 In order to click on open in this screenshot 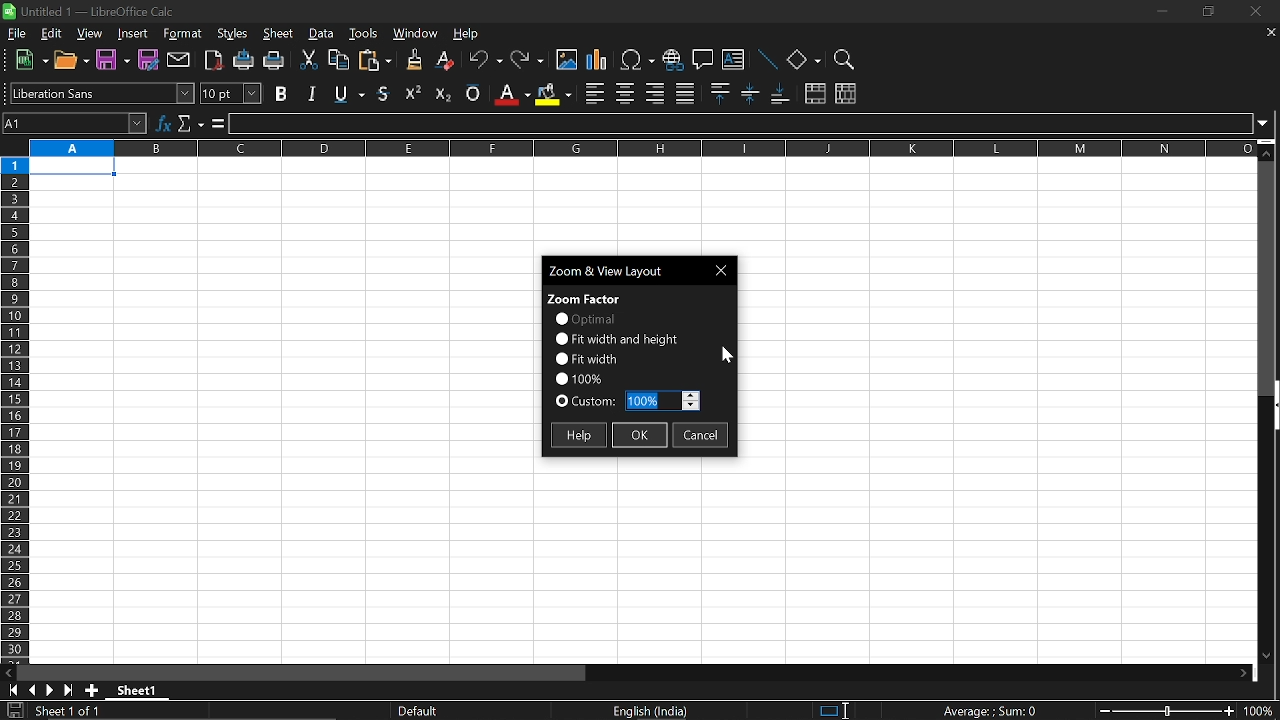, I will do `click(73, 63)`.